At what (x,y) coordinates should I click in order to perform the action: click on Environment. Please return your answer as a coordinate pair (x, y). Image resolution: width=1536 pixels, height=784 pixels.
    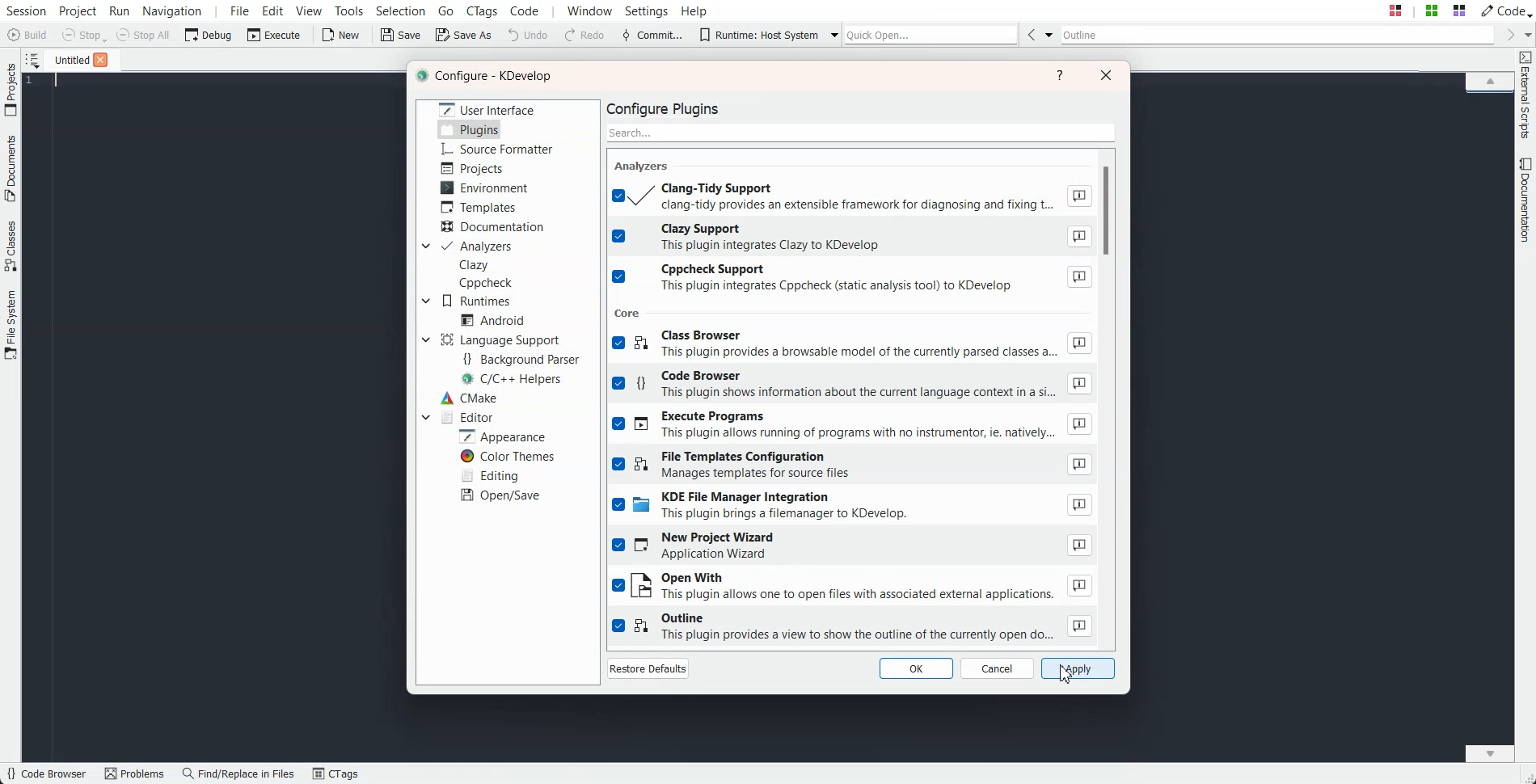
    Looking at the image, I should click on (484, 188).